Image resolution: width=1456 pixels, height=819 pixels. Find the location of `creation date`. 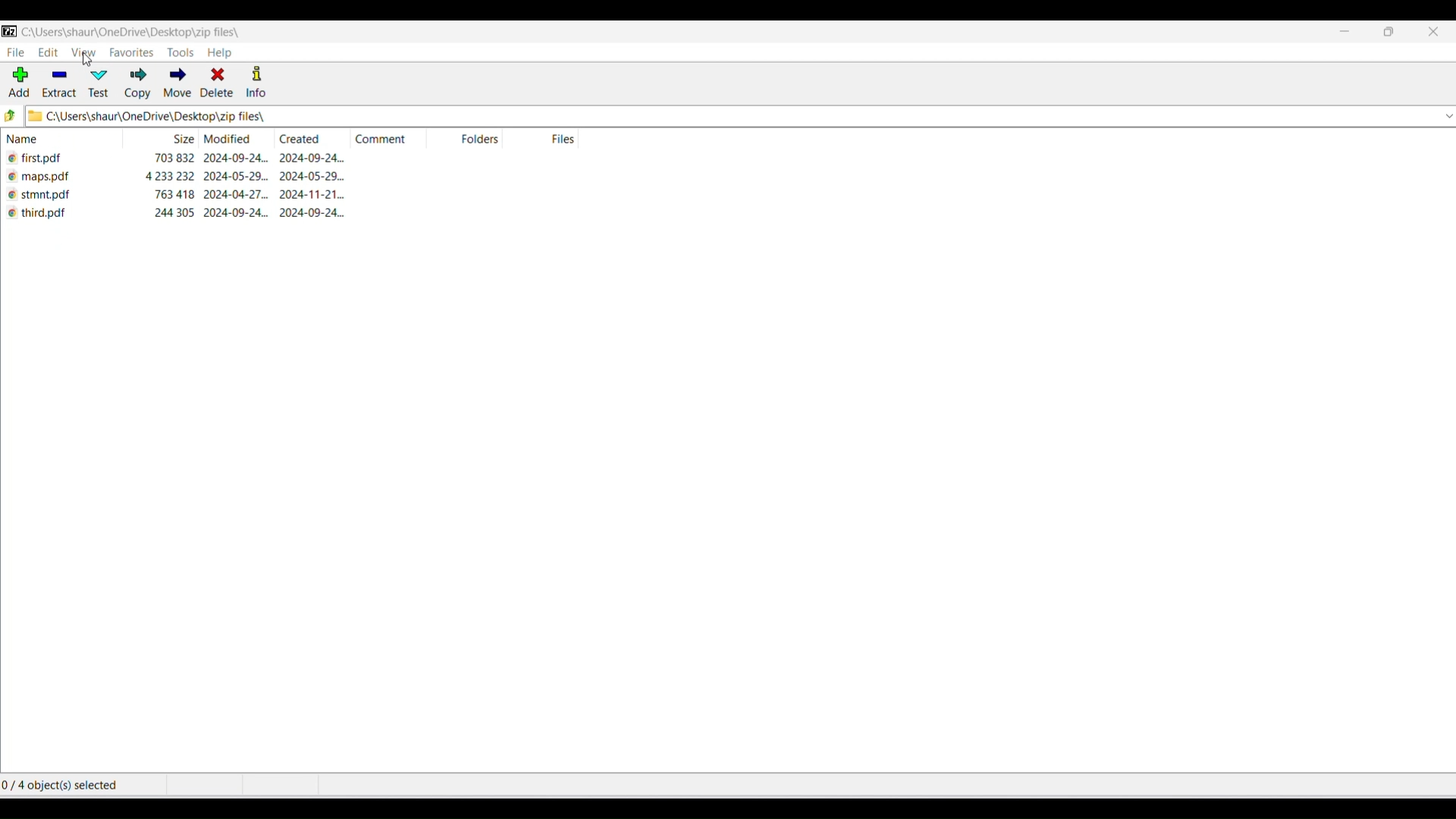

creation date is located at coordinates (318, 159).